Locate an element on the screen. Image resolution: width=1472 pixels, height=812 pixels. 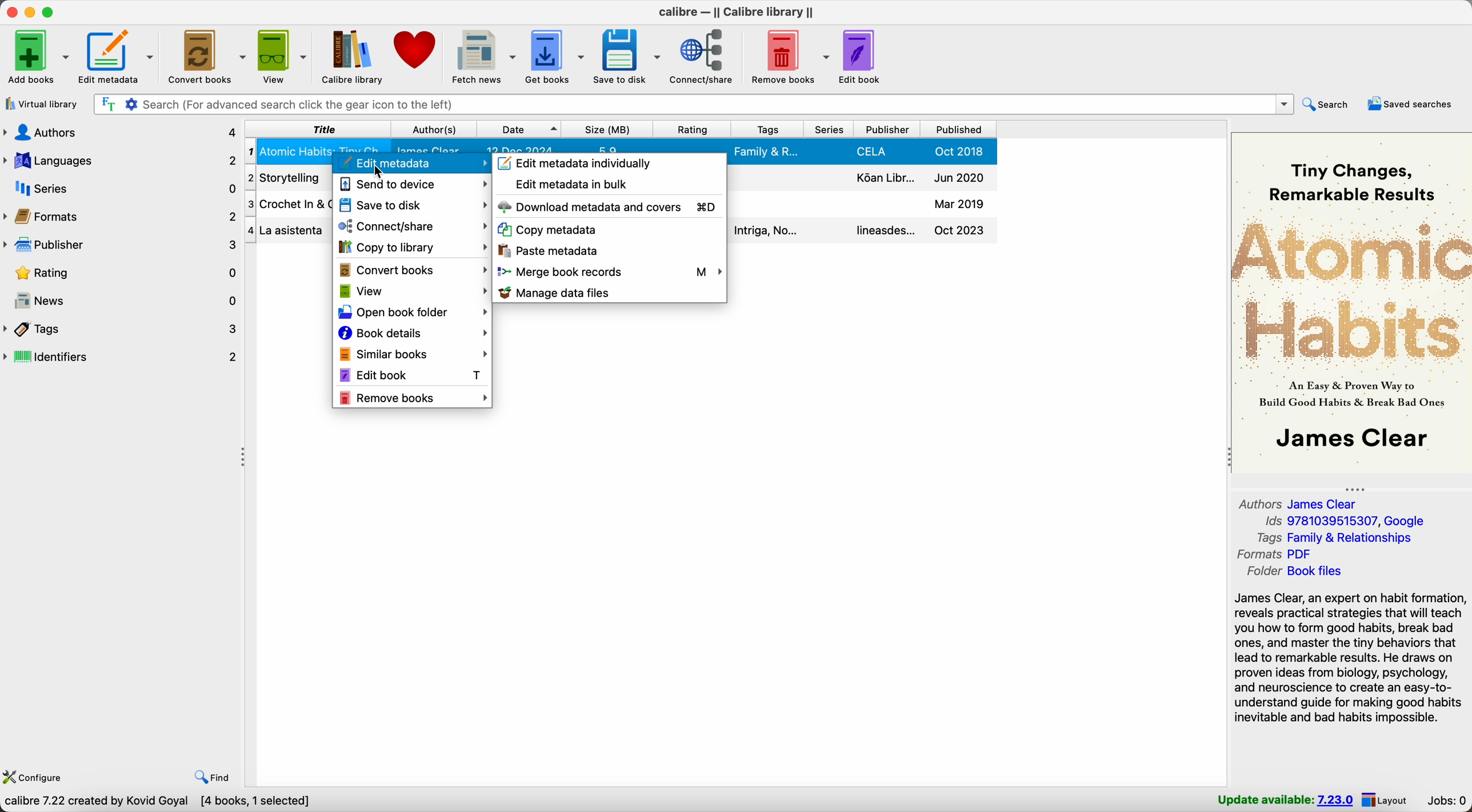
edit metadata is located at coordinates (121, 58).